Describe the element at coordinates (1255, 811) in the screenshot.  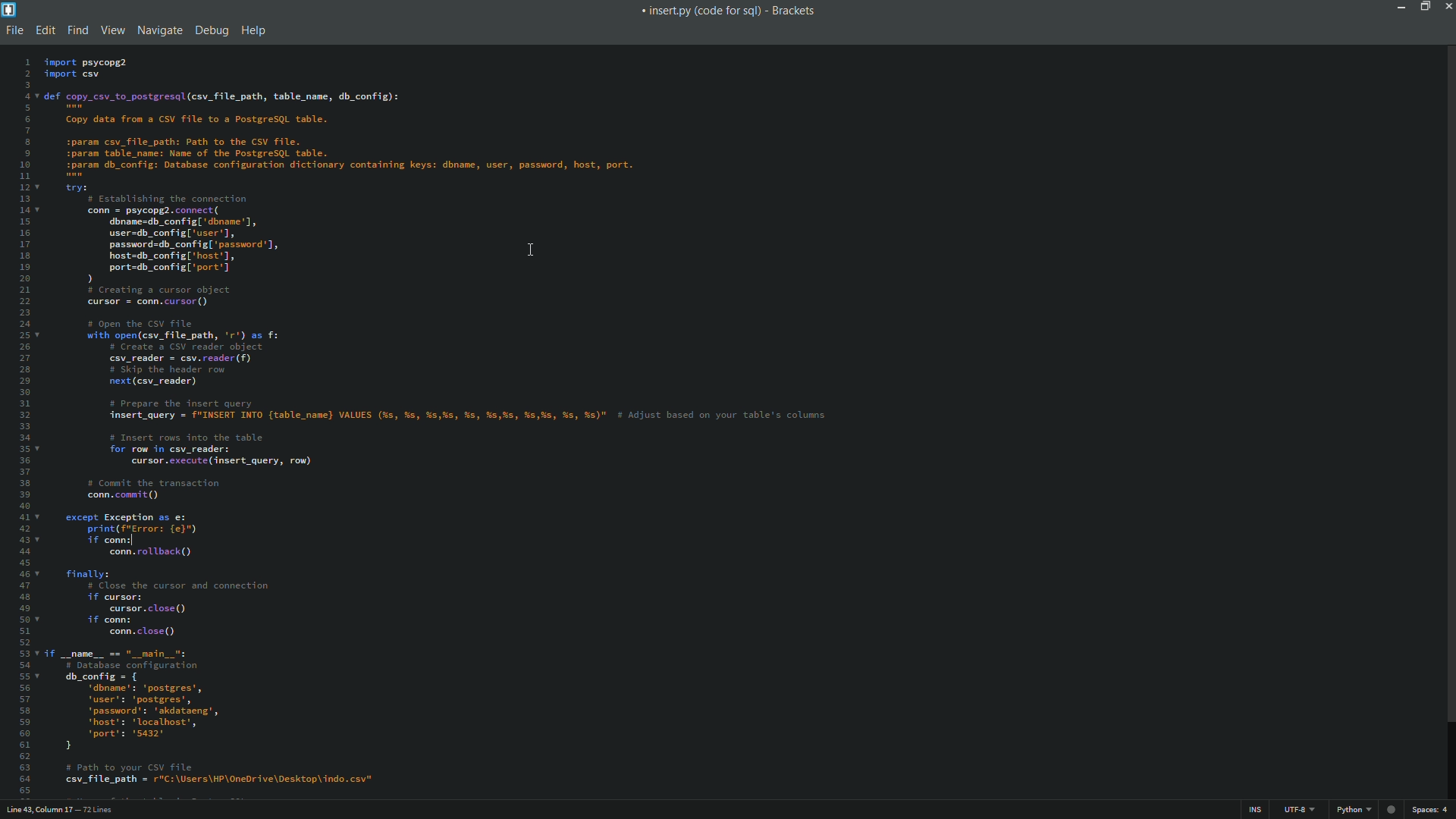
I see `ins` at that location.